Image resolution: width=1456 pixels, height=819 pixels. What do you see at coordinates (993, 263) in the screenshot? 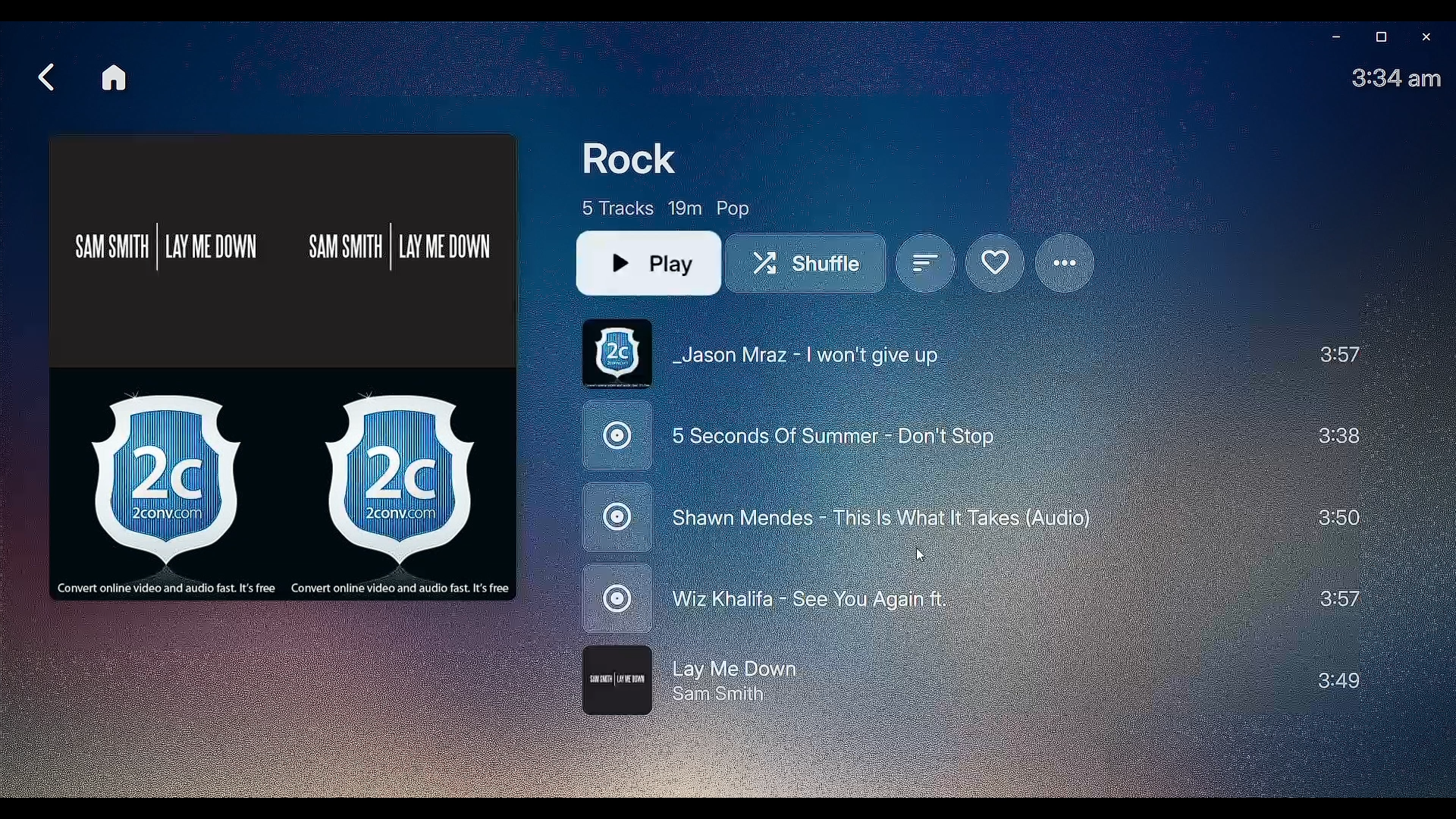
I see `Mark Favorite` at bounding box center [993, 263].